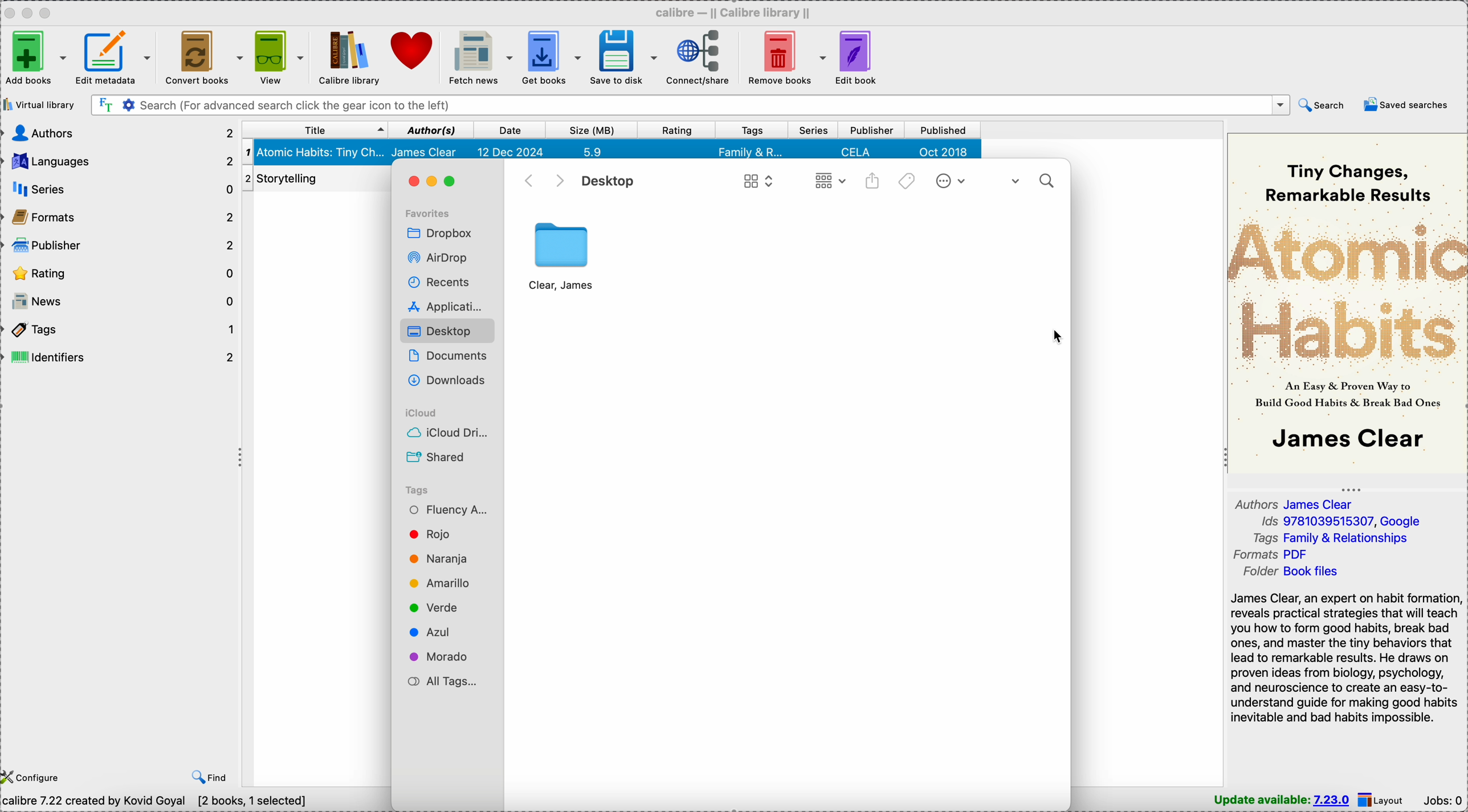 This screenshot has height=812, width=1468. Describe the element at coordinates (414, 182) in the screenshot. I see `close` at that location.